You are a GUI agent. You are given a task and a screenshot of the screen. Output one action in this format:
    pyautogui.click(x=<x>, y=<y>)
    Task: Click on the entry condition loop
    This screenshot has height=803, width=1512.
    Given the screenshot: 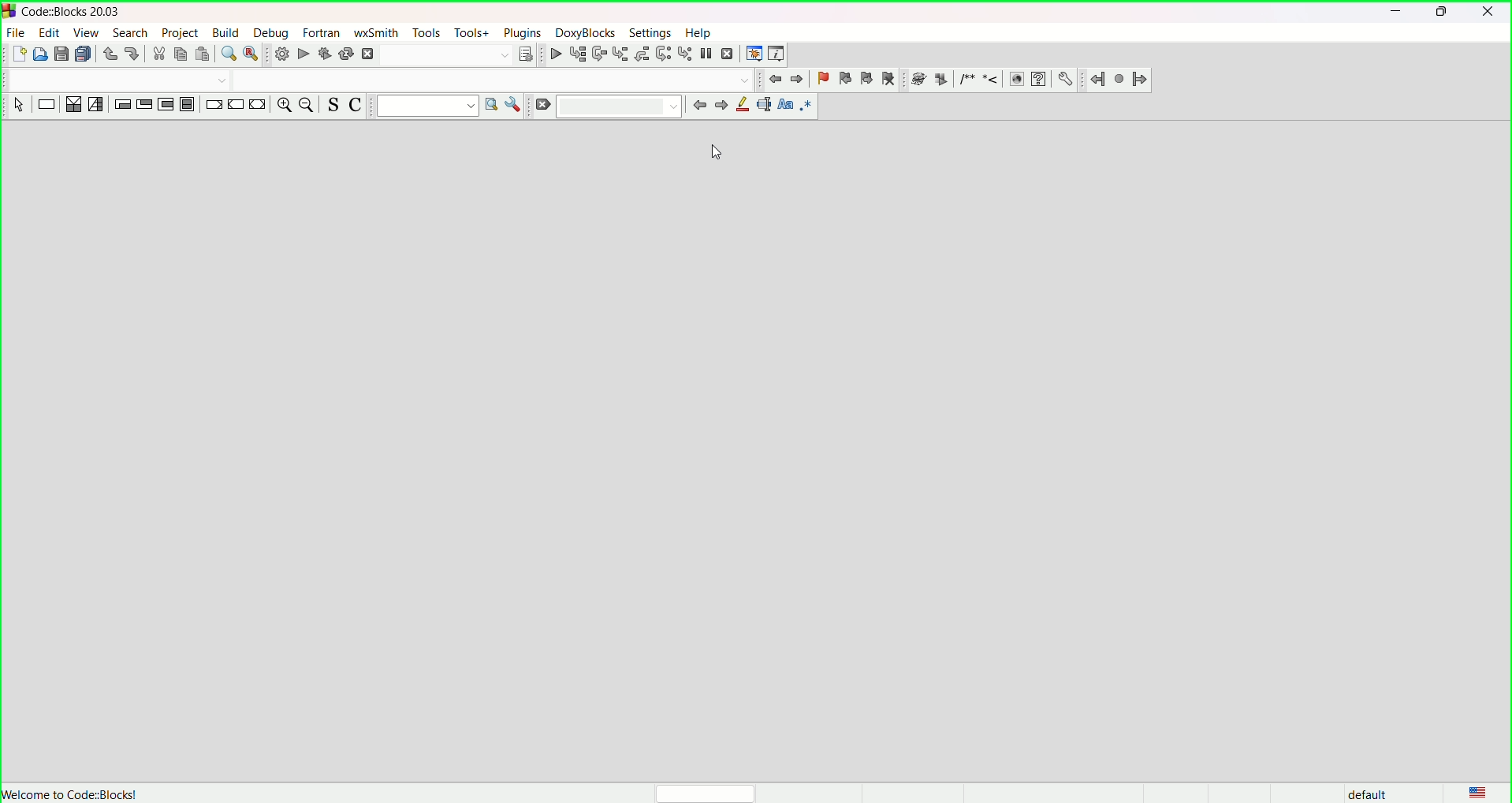 What is the action you would take?
    pyautogui.click(x=123, y=104)
    